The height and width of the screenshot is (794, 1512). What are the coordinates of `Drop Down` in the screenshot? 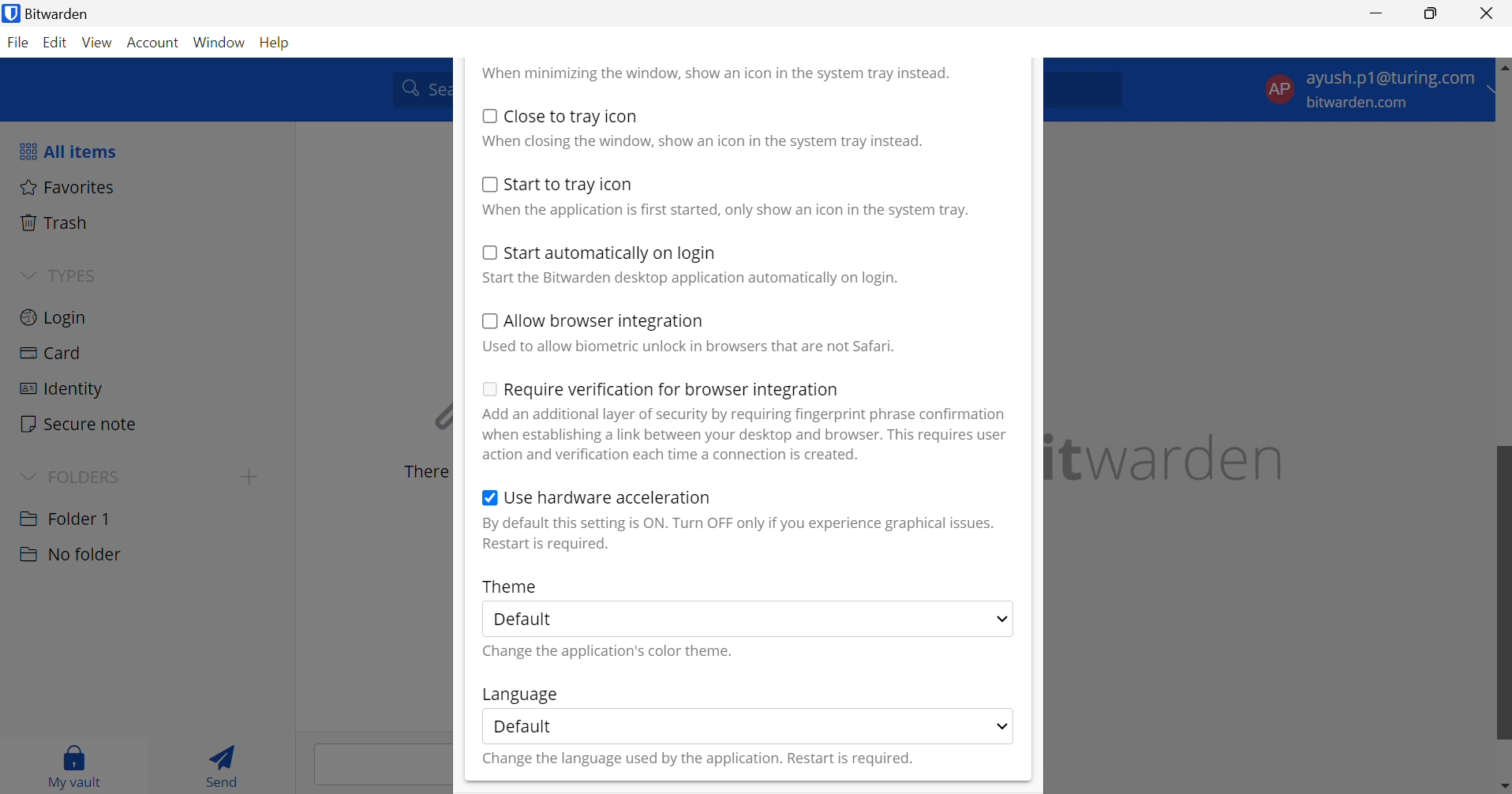 It's located at (1001, 620).